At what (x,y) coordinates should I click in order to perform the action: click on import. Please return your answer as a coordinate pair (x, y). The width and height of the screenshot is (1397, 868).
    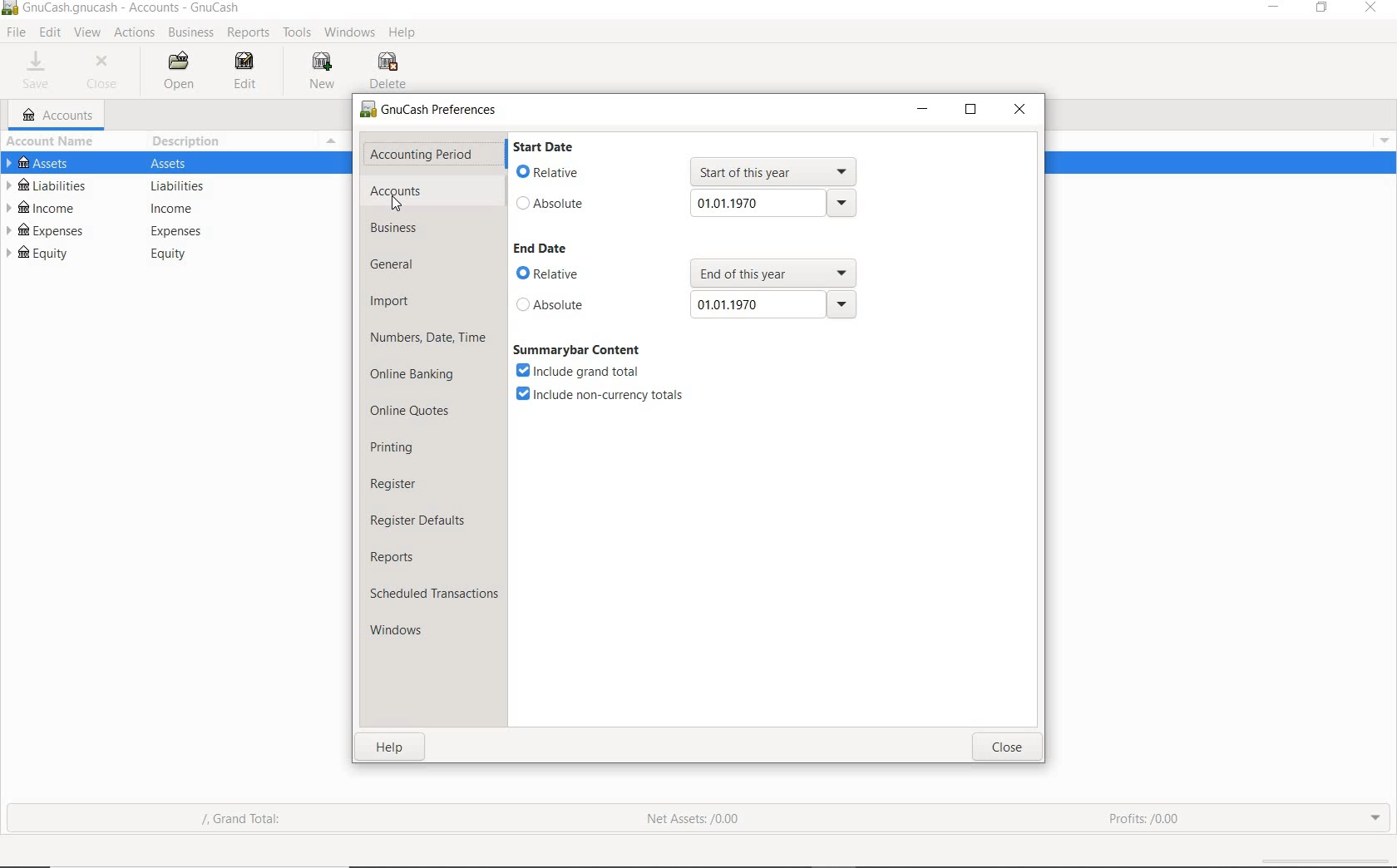
    Looking at the image, I should click on (391, 303).